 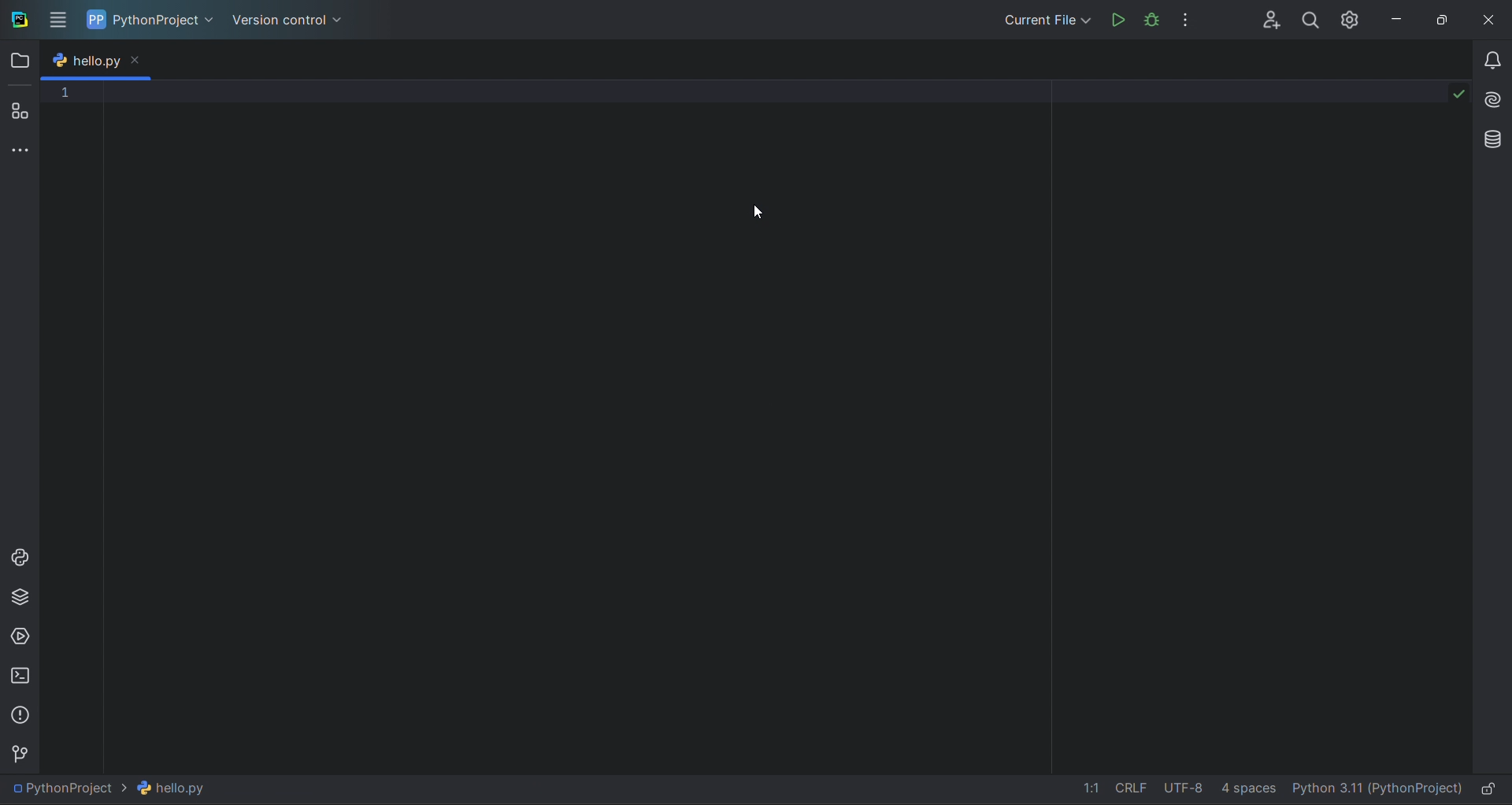 What do you see at coordinates (154, 20) in the screenshot?
I see `current project` at bounding box center [154, 20].